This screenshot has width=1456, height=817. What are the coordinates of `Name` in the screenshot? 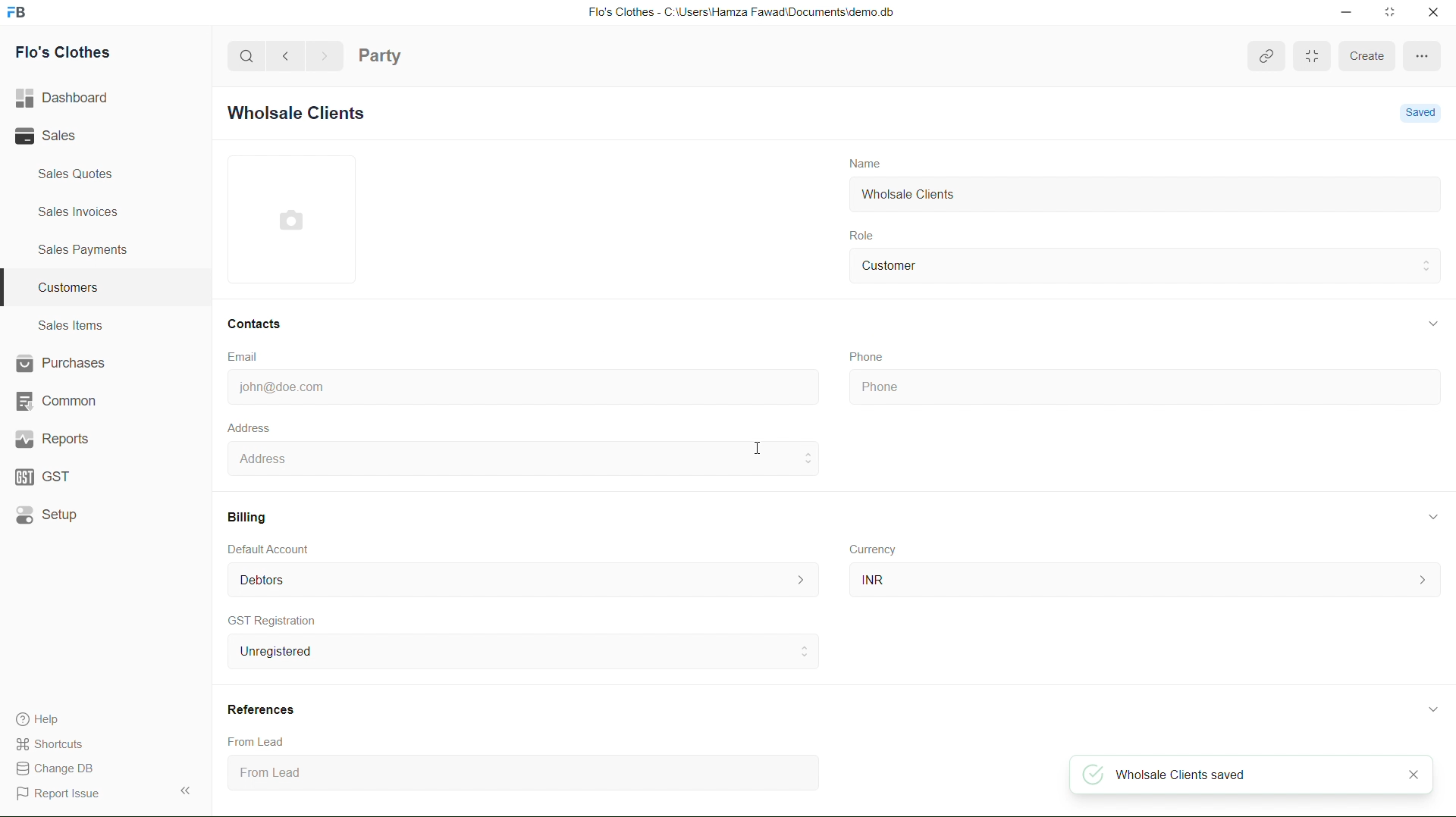 It's located at (868, 161).